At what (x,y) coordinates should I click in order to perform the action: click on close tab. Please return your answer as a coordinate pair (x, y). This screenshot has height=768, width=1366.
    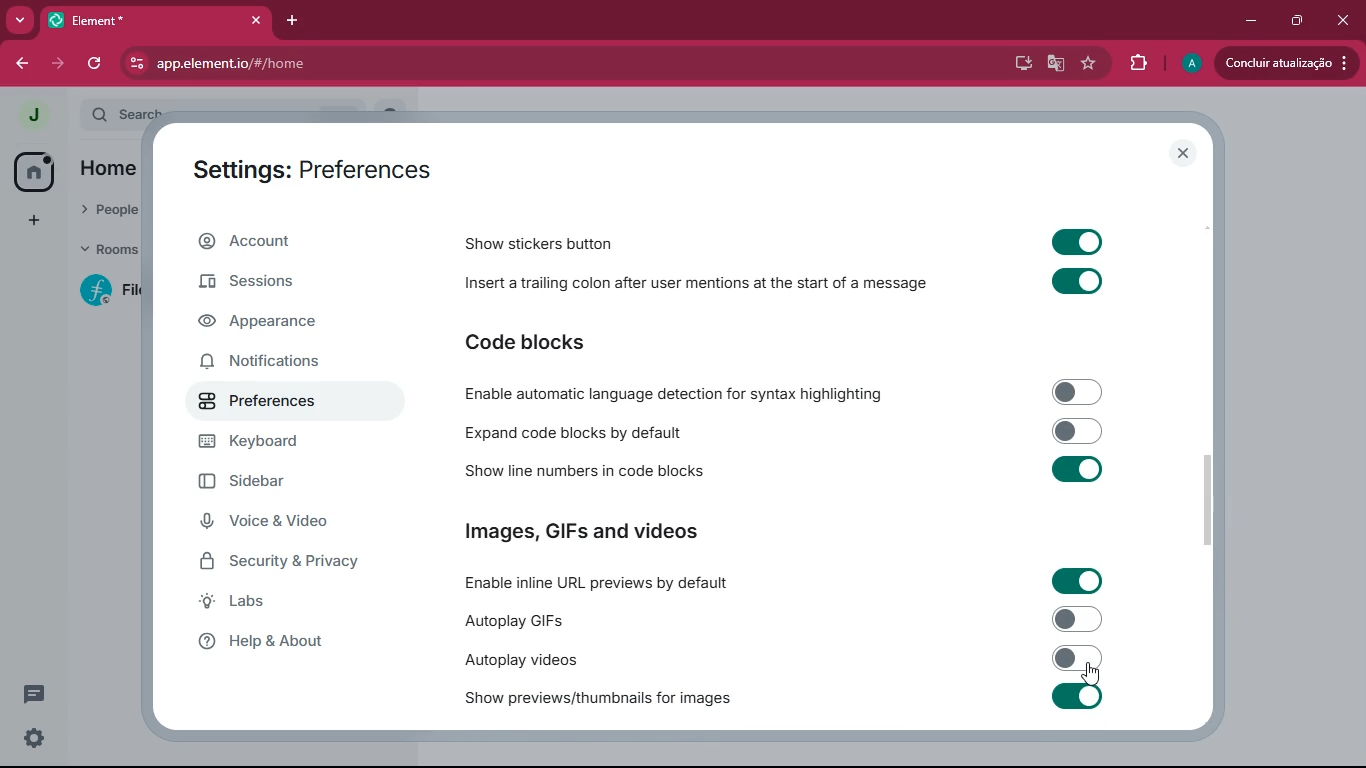
    Looking at the image, I should click on (260, 19).